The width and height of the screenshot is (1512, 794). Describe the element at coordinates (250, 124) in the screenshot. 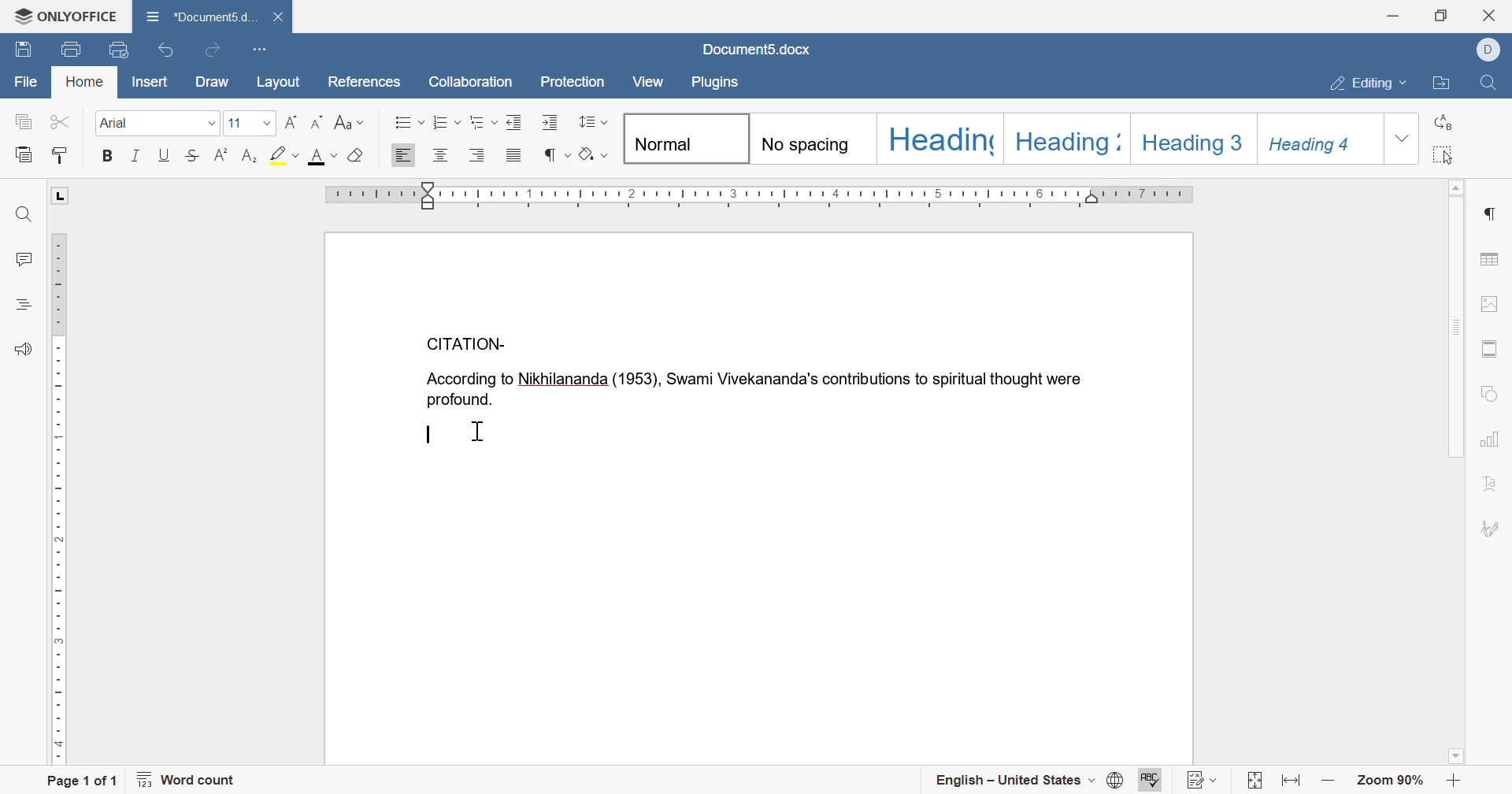

I see `font size` at that location.